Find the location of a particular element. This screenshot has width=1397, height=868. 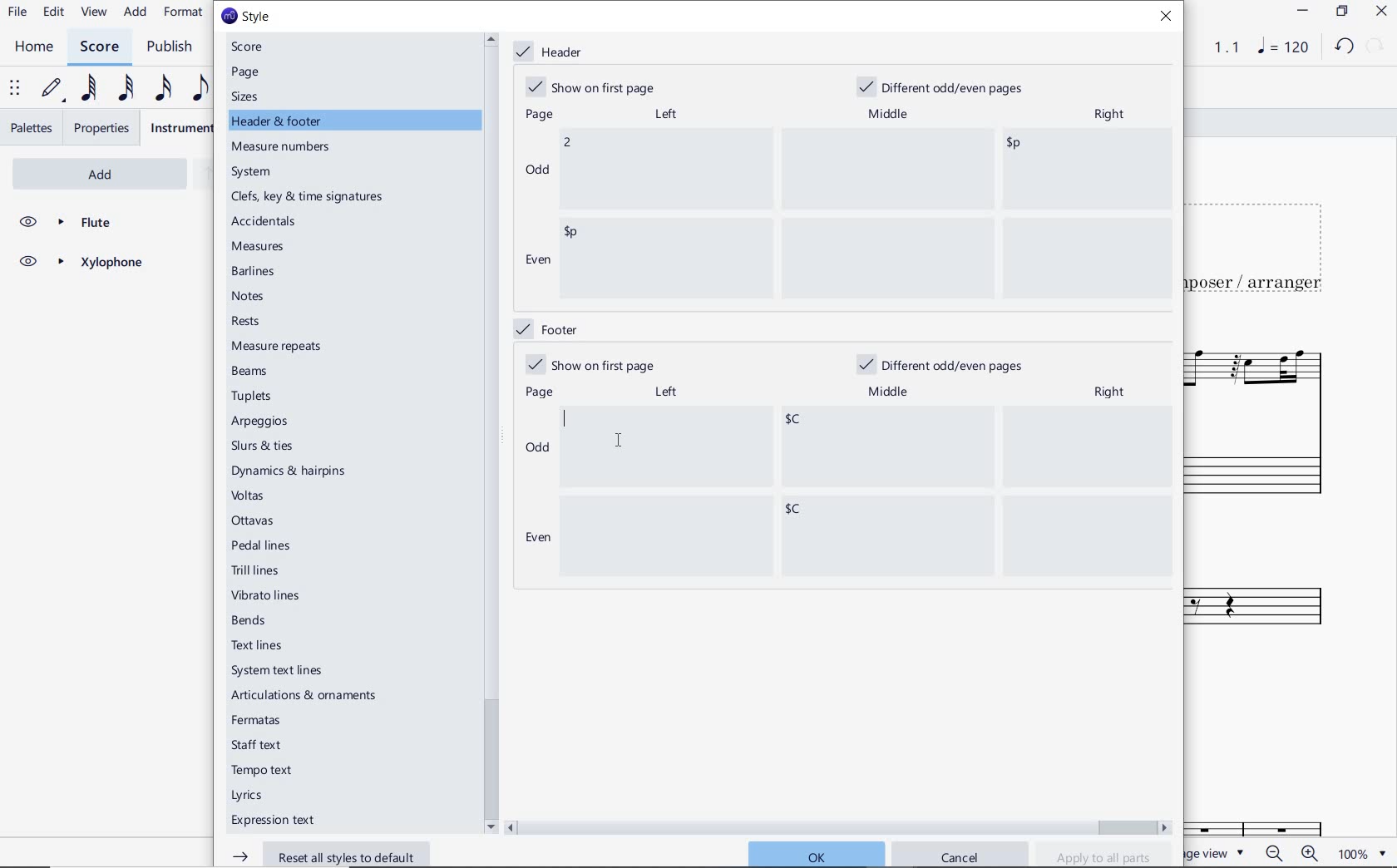

PUBLISH is located at coordinates (174, 47).